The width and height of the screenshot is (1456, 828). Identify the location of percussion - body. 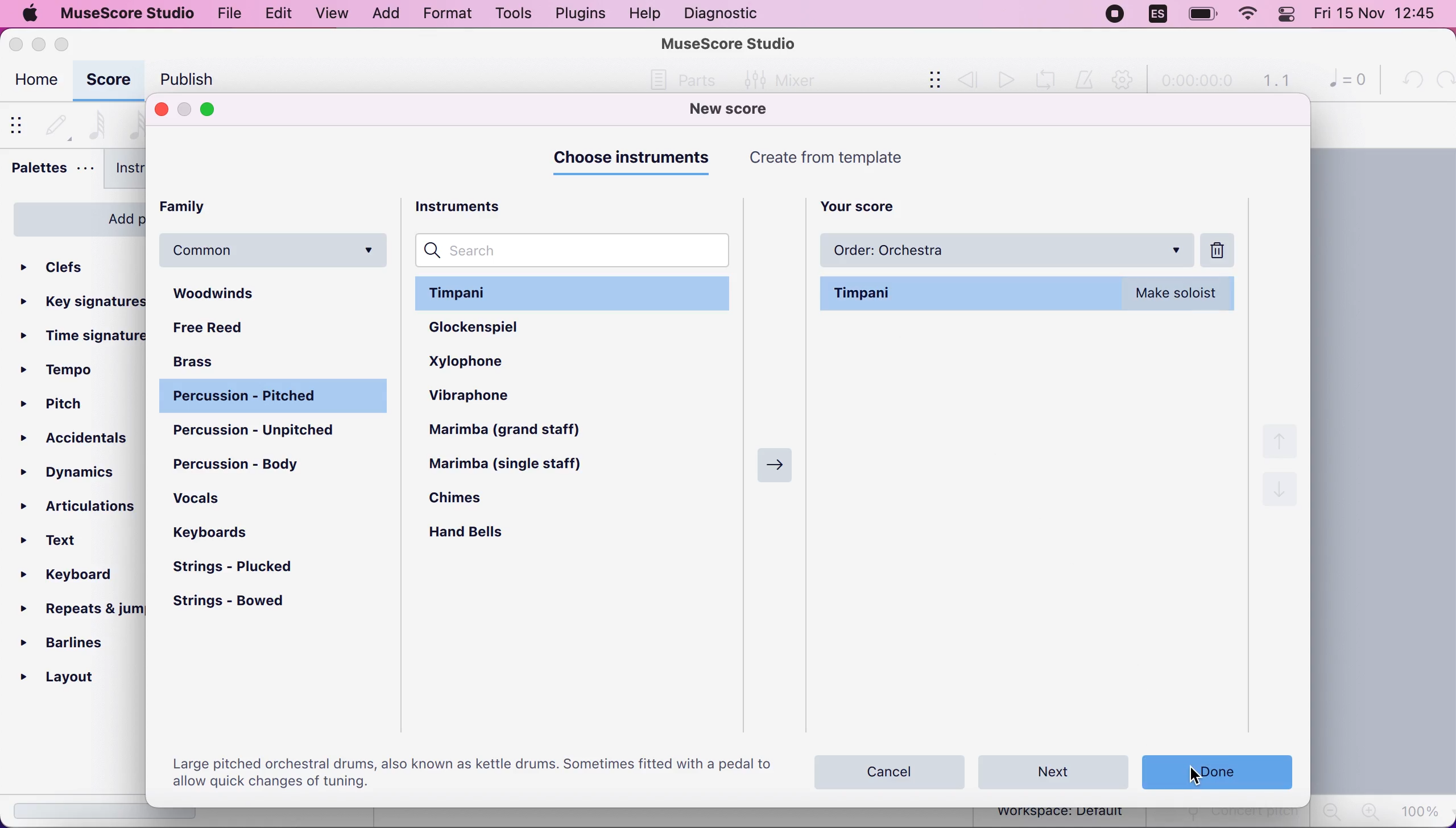
(247, 463).